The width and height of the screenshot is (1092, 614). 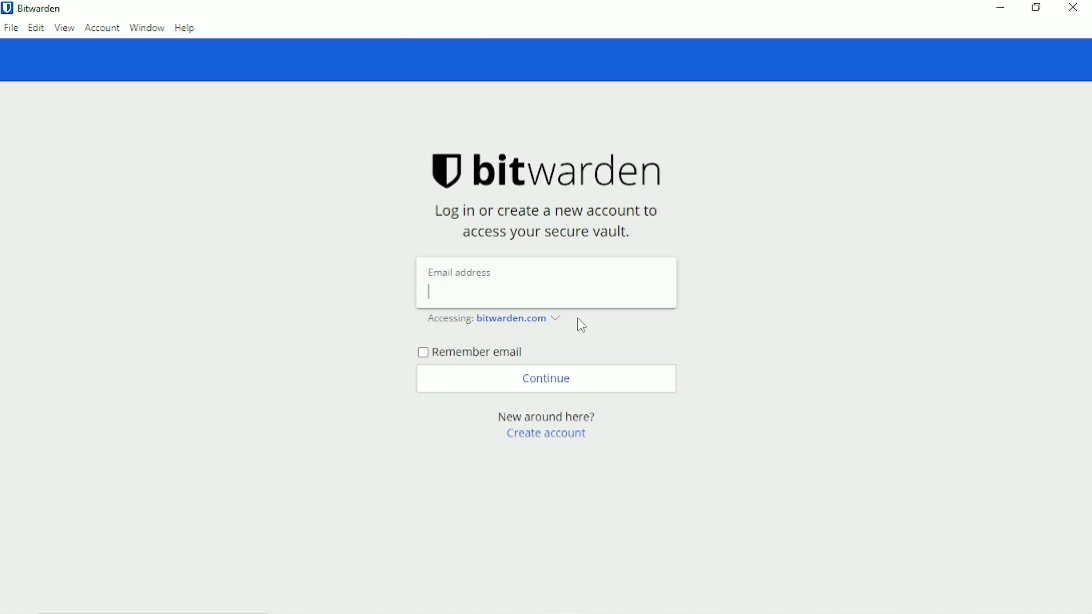 What do you see at coordinates (1002, 8) in the screenshot?
I see `Minimize` at bounding box center [1002, 8].